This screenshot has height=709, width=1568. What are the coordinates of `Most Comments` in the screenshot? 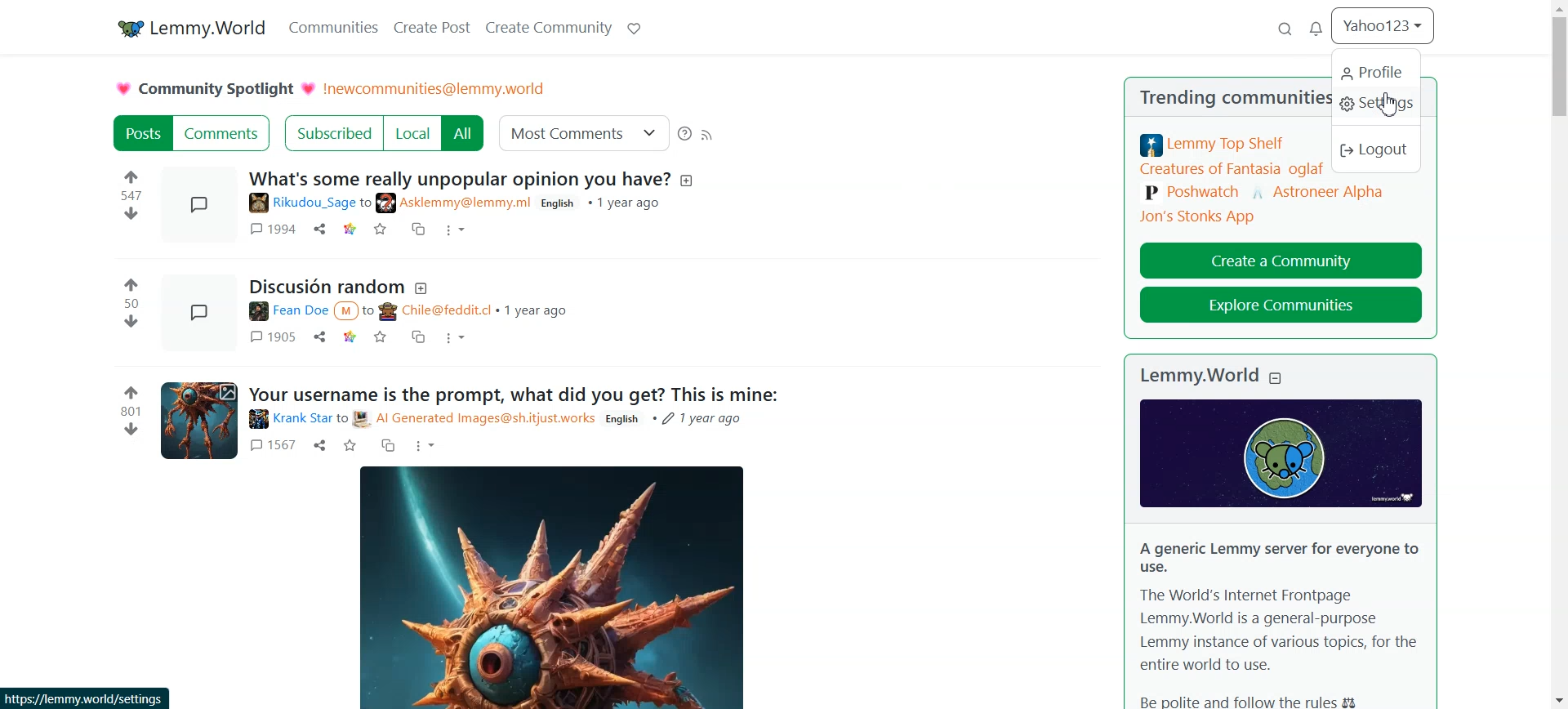 It's located at (584, 132).